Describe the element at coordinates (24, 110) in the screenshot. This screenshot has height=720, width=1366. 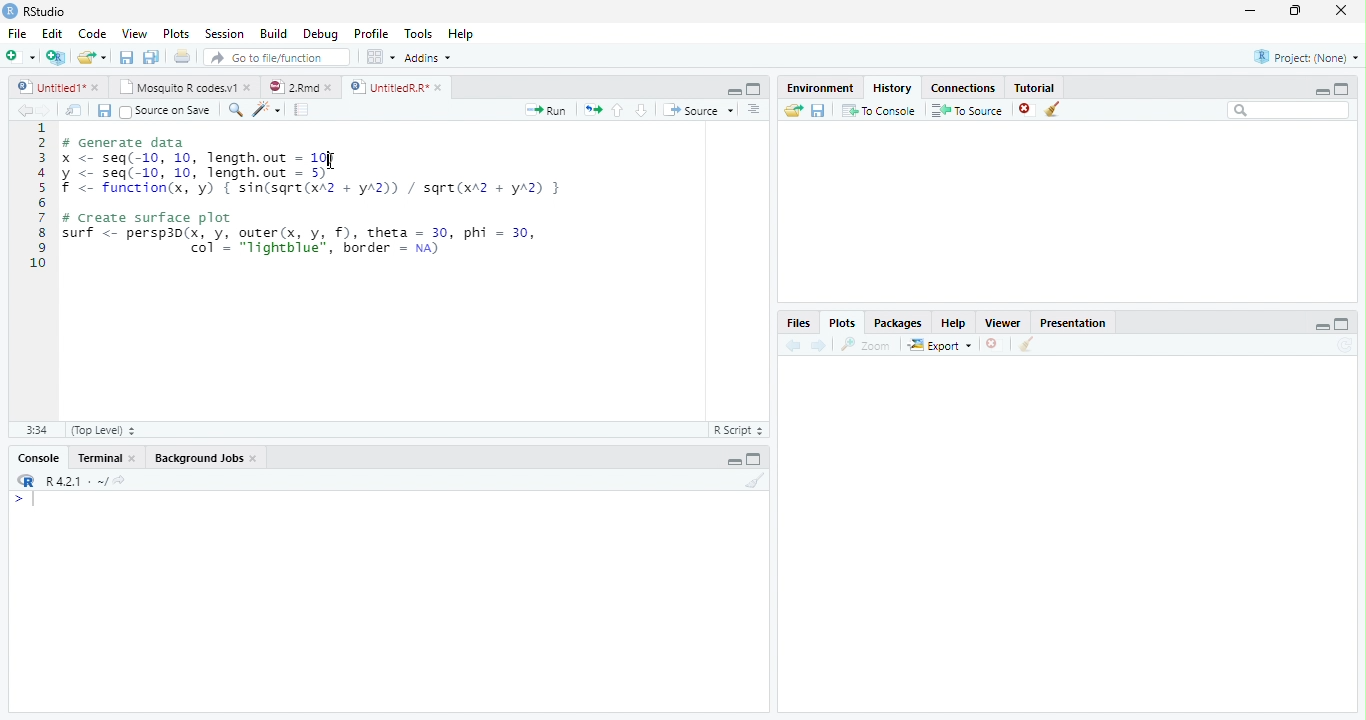
I see `Go back to previous source location` at that location.